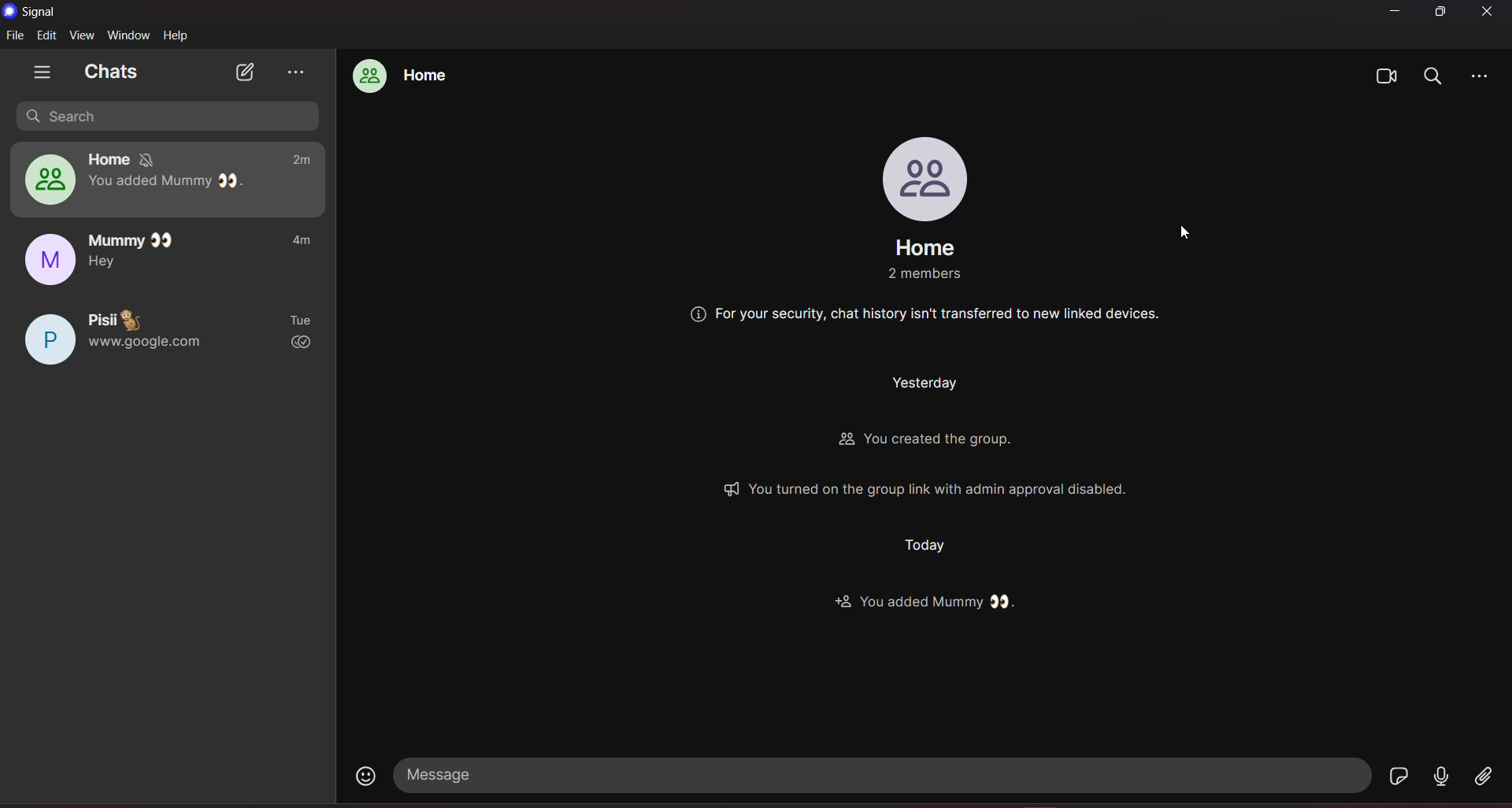 The image size is (1512, 808). Describe the element at coordinates (951, 317) in the screenshot. I see `` at that location.